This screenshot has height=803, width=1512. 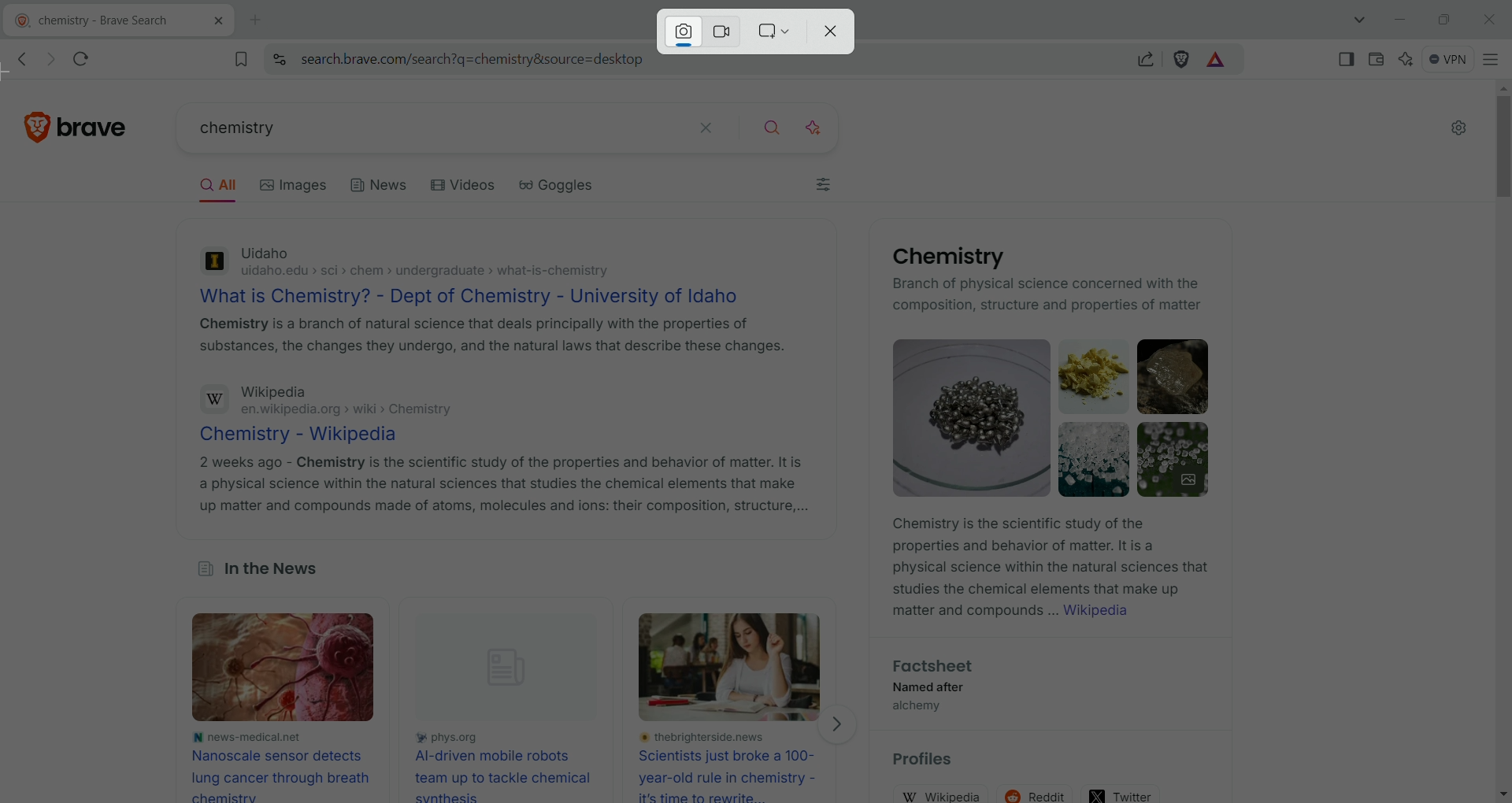 What do you see at coordinates (506, 765) in the screenshot?
I see `phys.org AI-driven mobile robots team up to tackle chemical synthesis` at bounding box center [506, 765].